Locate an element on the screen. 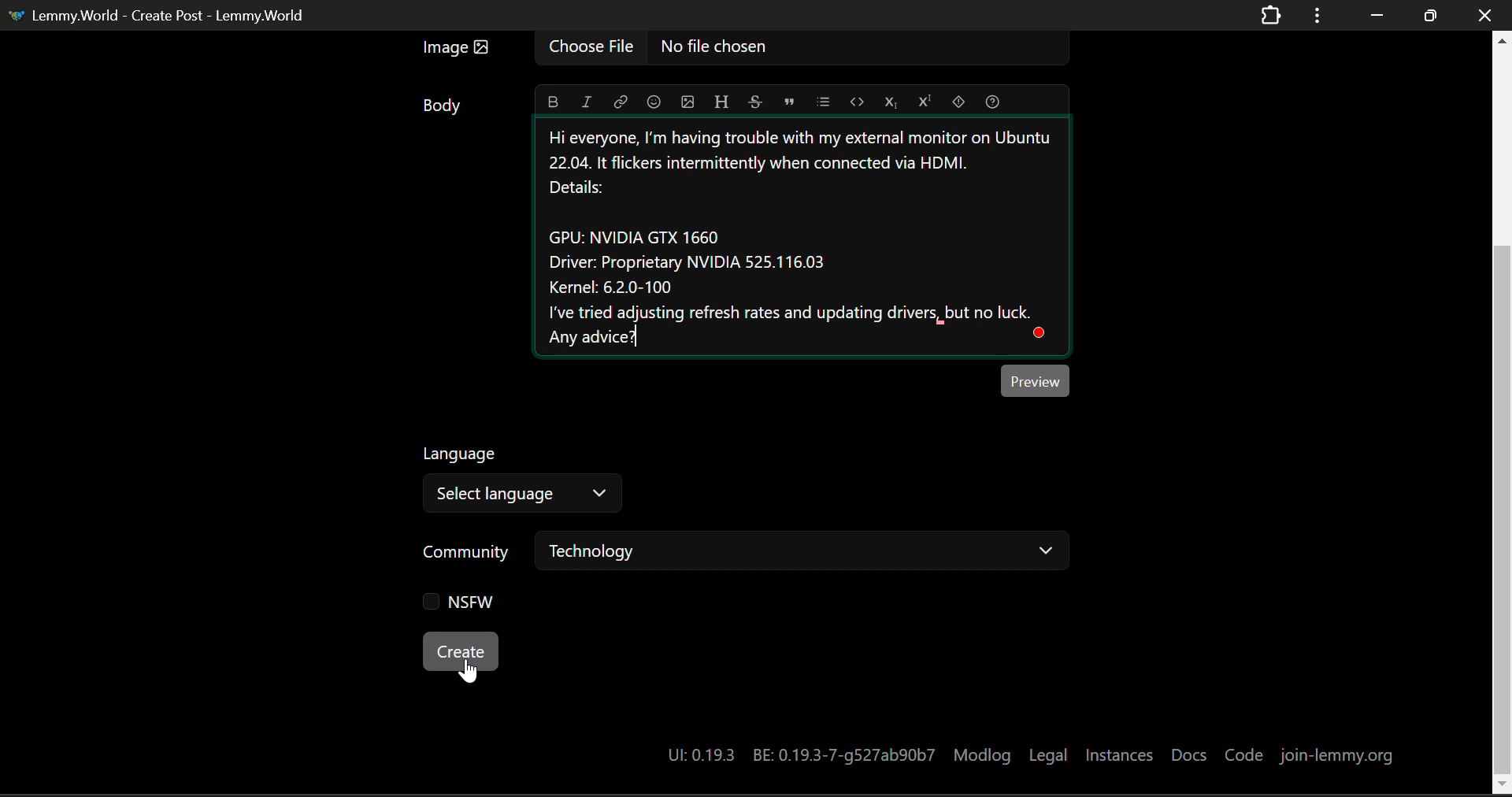  Insert Picture is located at coordinates (686, 99).